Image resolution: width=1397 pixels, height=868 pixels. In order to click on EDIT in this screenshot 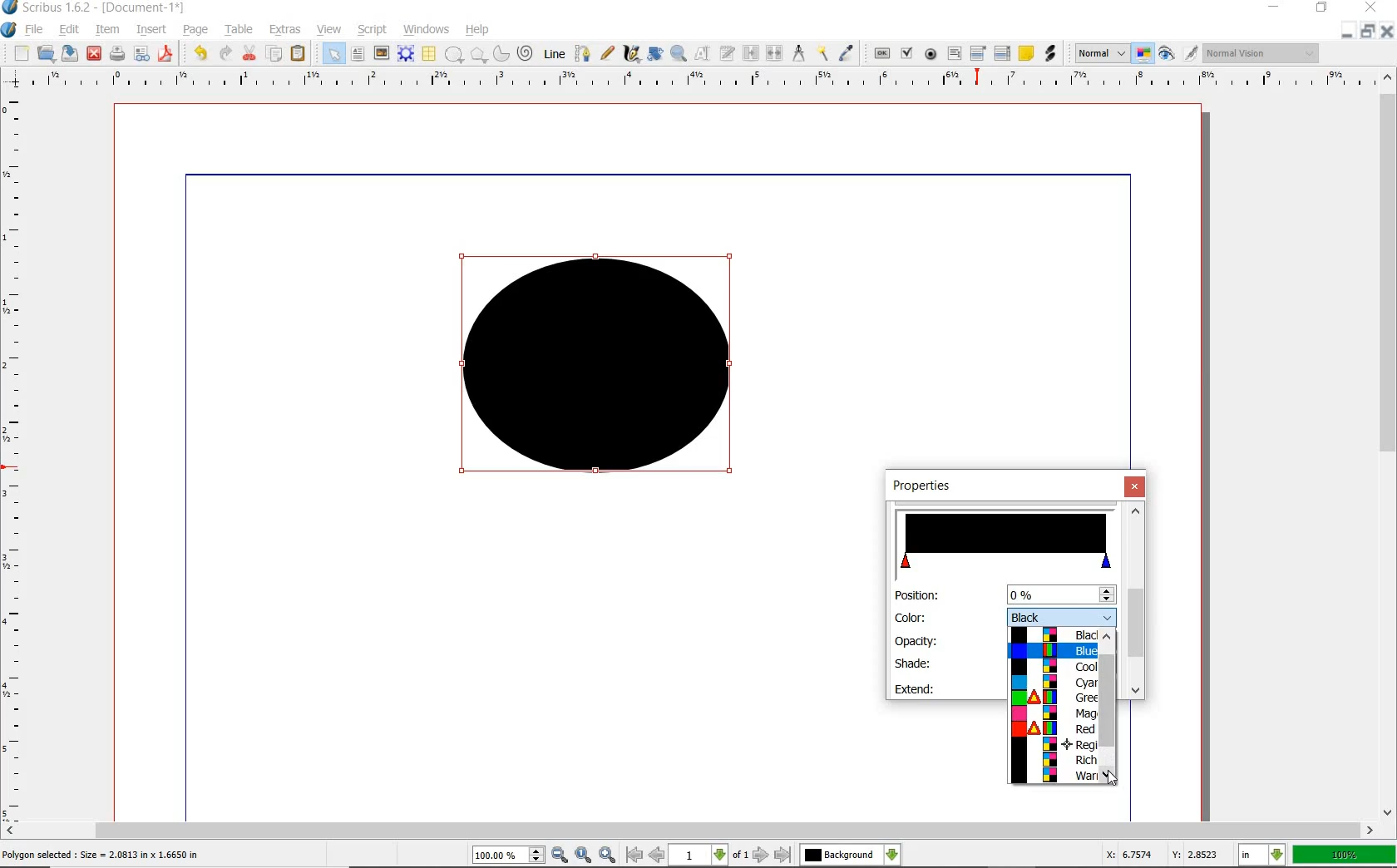, I will do `click(68, 31)`.